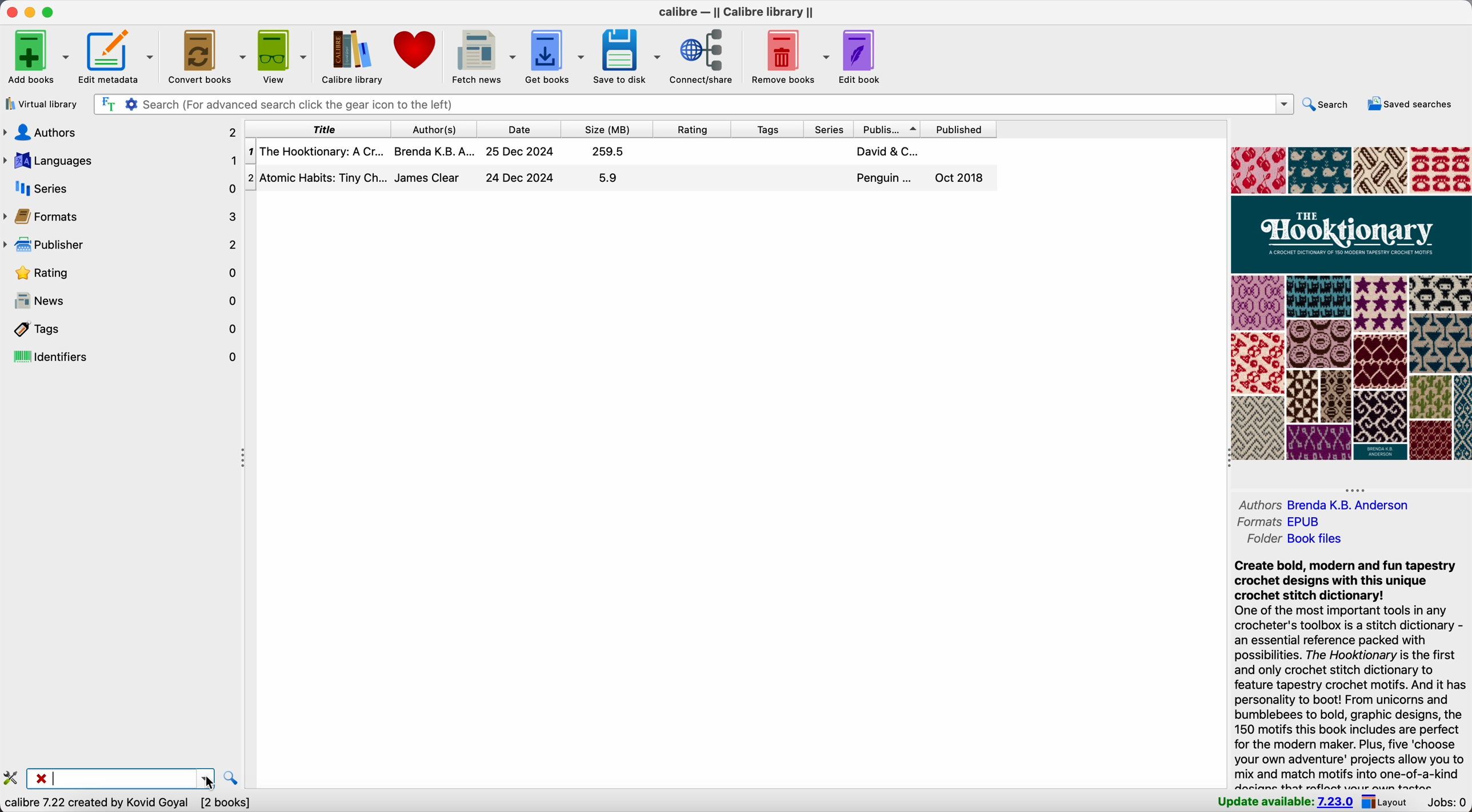 Image resolution: width=1472 pixels, height=812 pixels. I want to click on publisher, so click(889, 130).